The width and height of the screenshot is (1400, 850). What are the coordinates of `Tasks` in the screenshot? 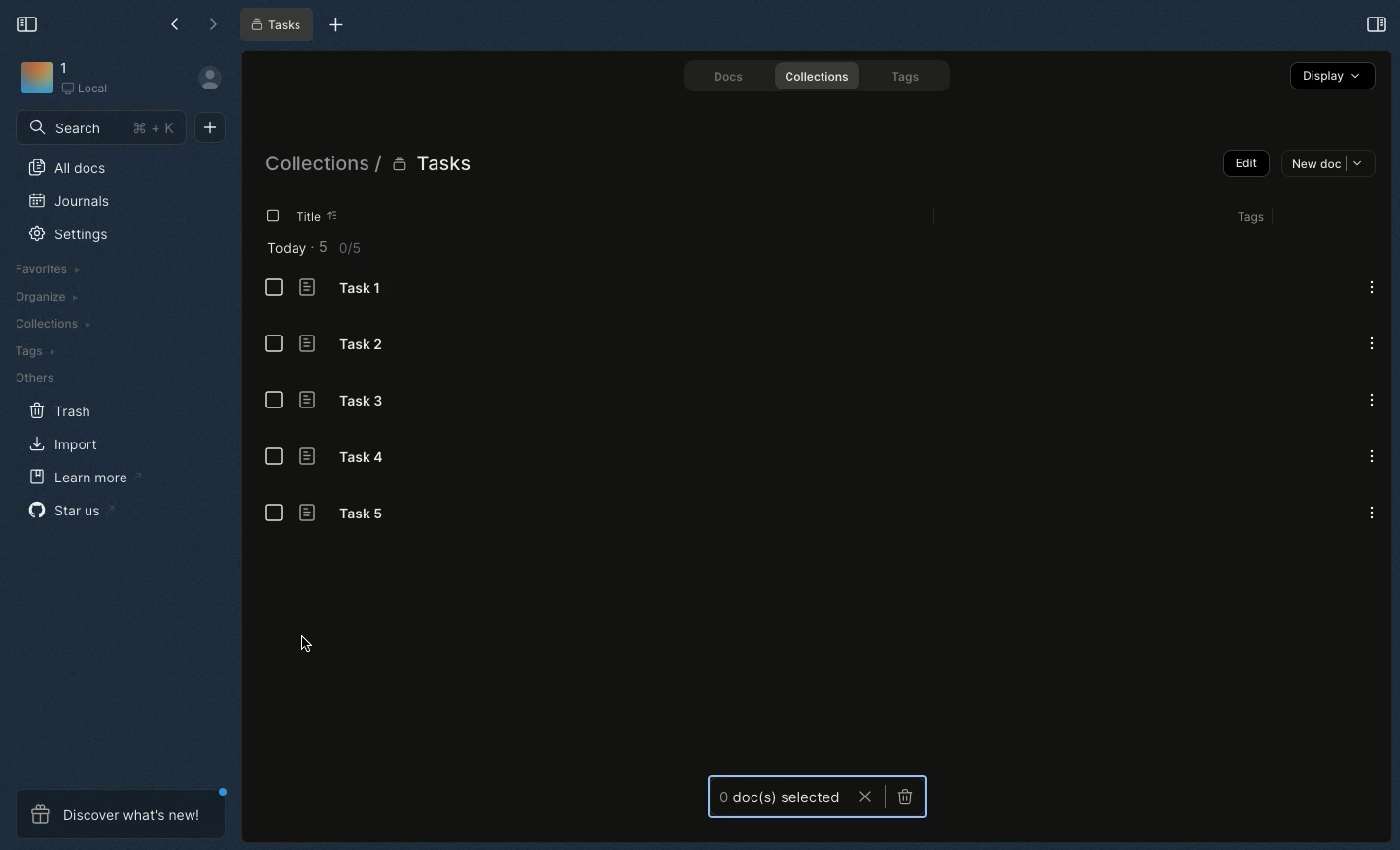 It's located at (276, 25).